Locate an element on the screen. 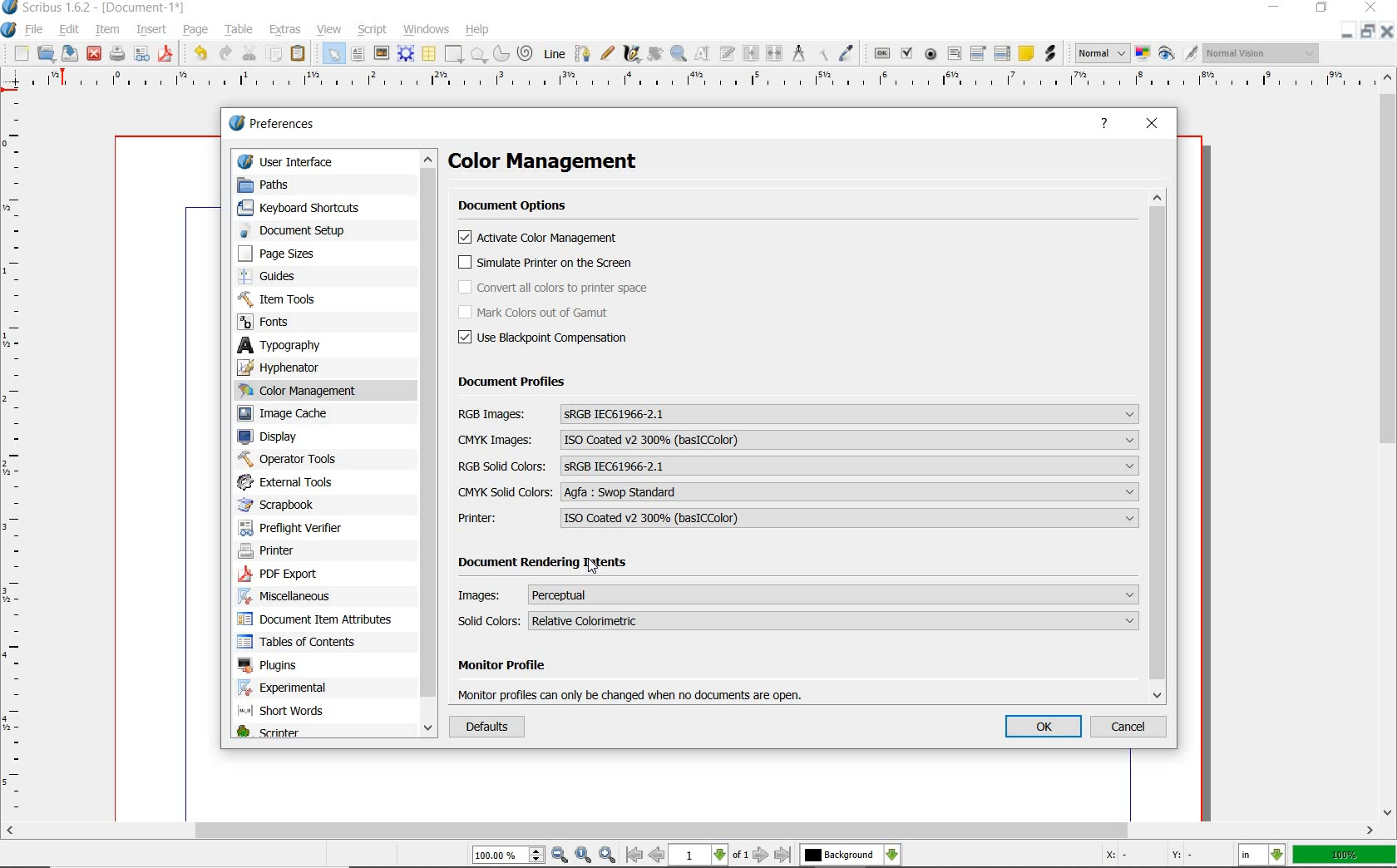 The width and height of the screenshot is (1397, 868). edit contents of frame is located at coordinates (703, 52).